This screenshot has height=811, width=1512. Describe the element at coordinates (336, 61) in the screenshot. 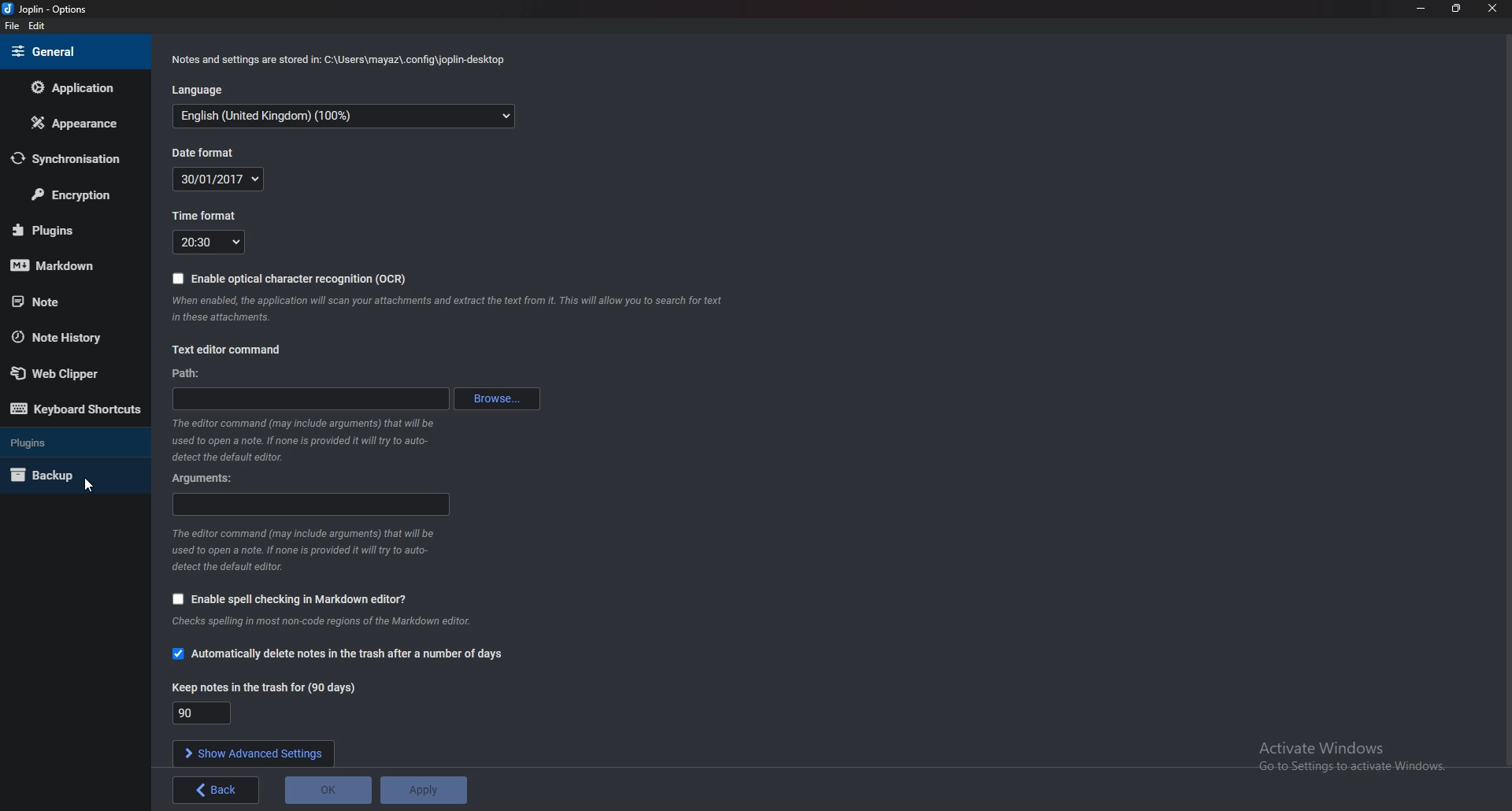

I see `Info` at that location.